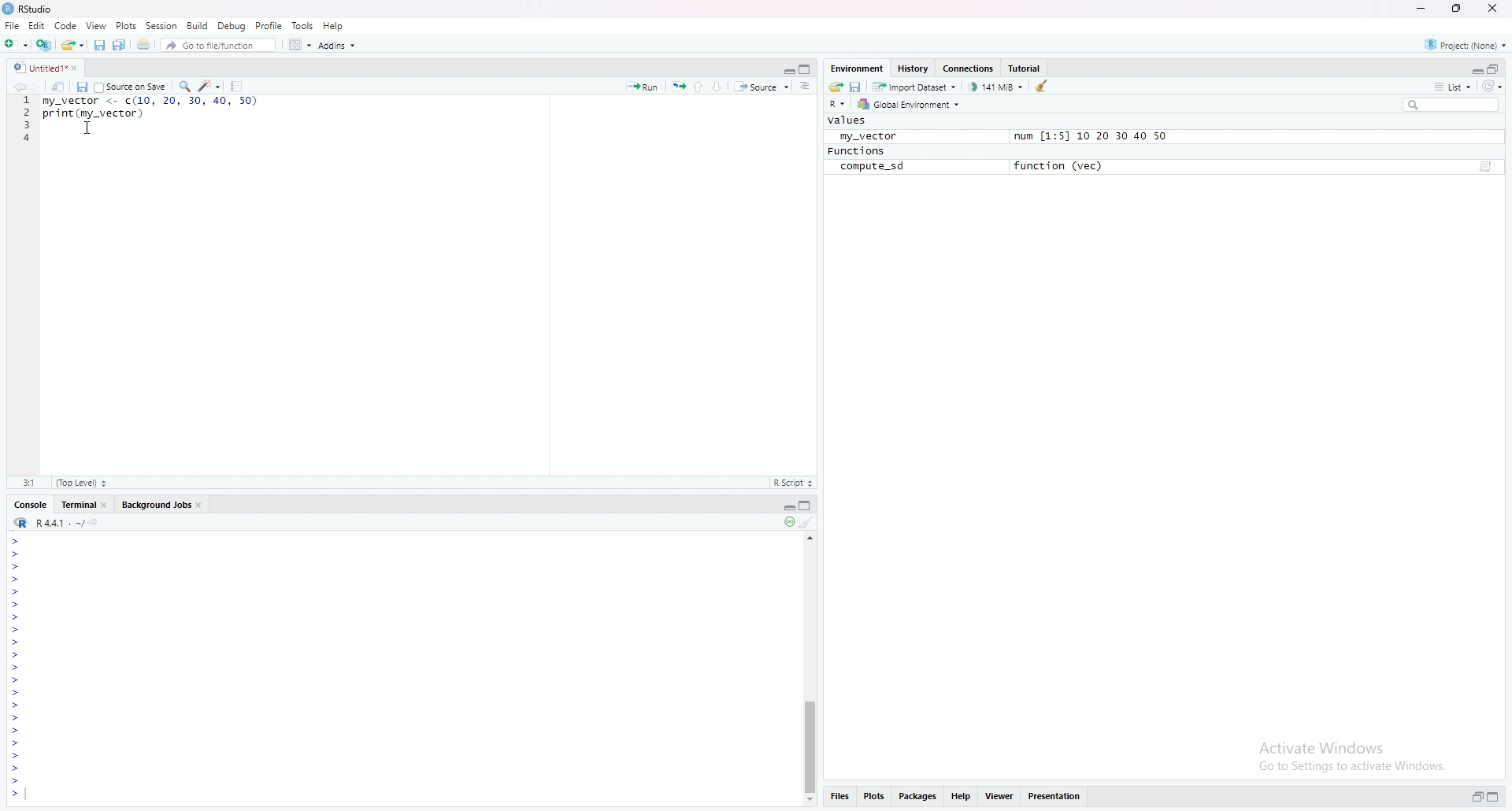 This screenshot has width=1512, height=811. I want to click on Close, so click(1491, 9).